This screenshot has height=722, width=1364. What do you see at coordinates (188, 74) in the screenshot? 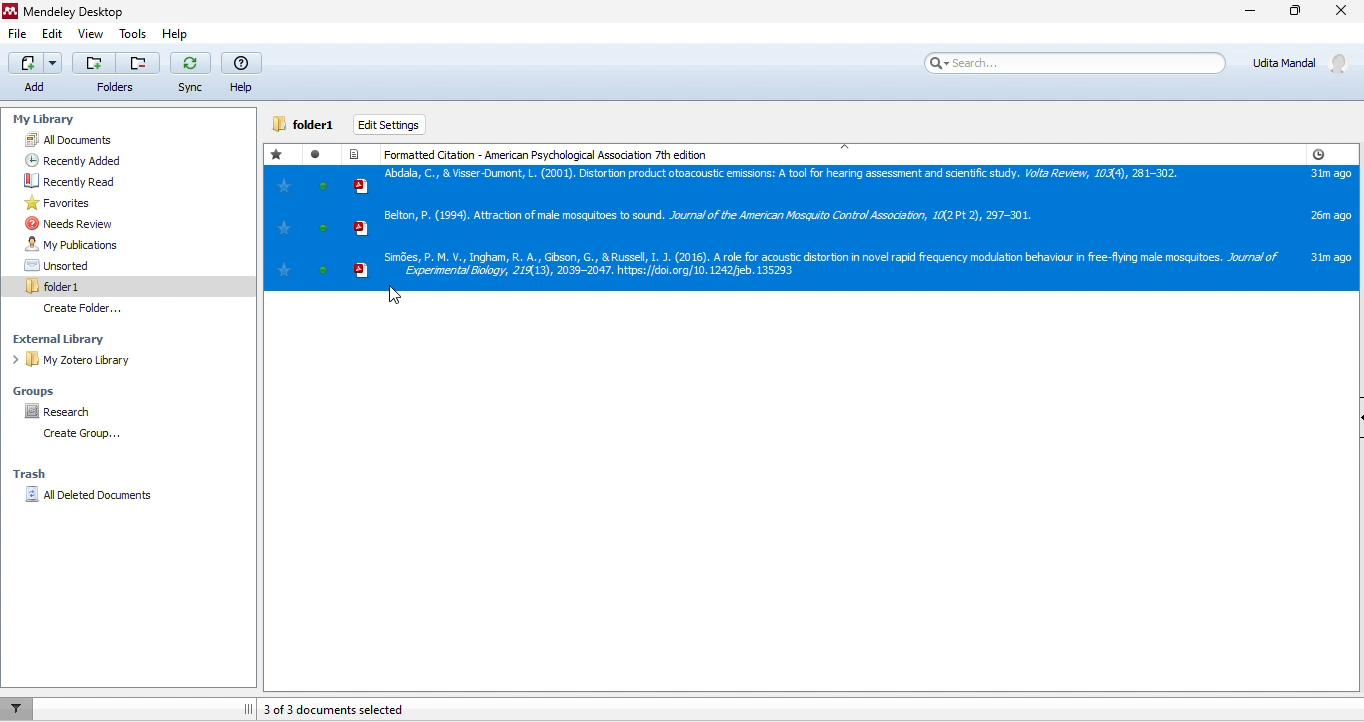
I see `sync` at bounding box center [188, 74].